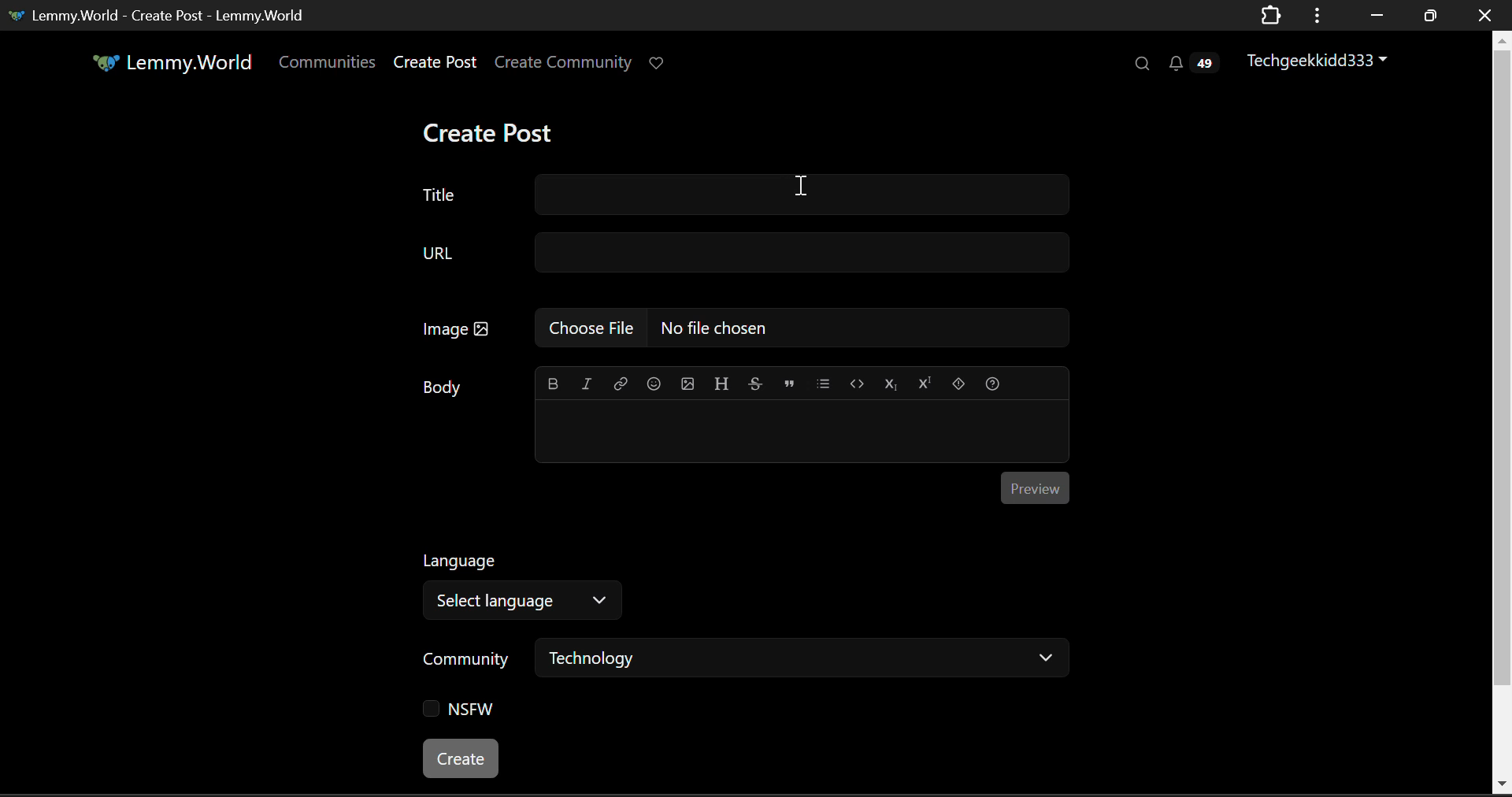 This screenshot has height=797, width=1512. I want to click on Bold, so click(552, 384).